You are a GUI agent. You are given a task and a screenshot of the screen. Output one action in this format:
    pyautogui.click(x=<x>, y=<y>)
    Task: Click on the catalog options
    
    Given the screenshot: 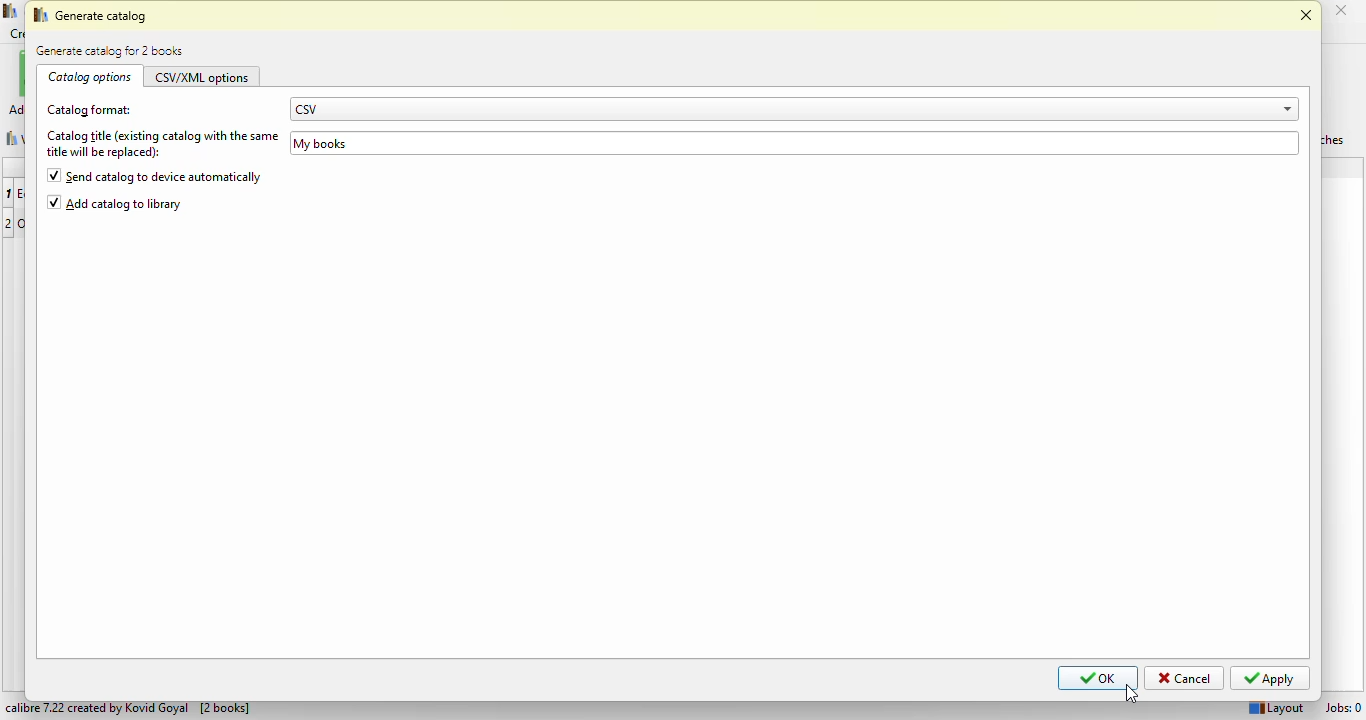 What is the action you would take?
    pyautogui.click(x=90, y=77)
    